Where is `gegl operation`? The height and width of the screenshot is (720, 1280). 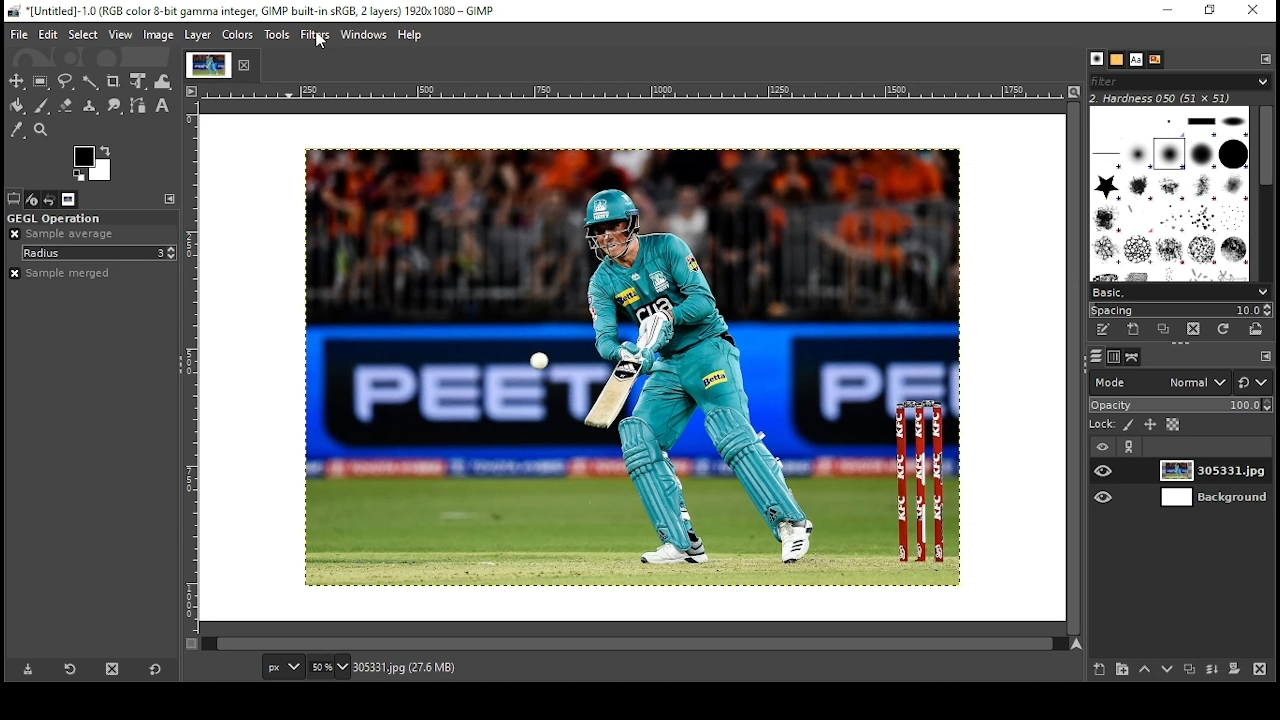 gegl operation is located at coordinates (55, 218).